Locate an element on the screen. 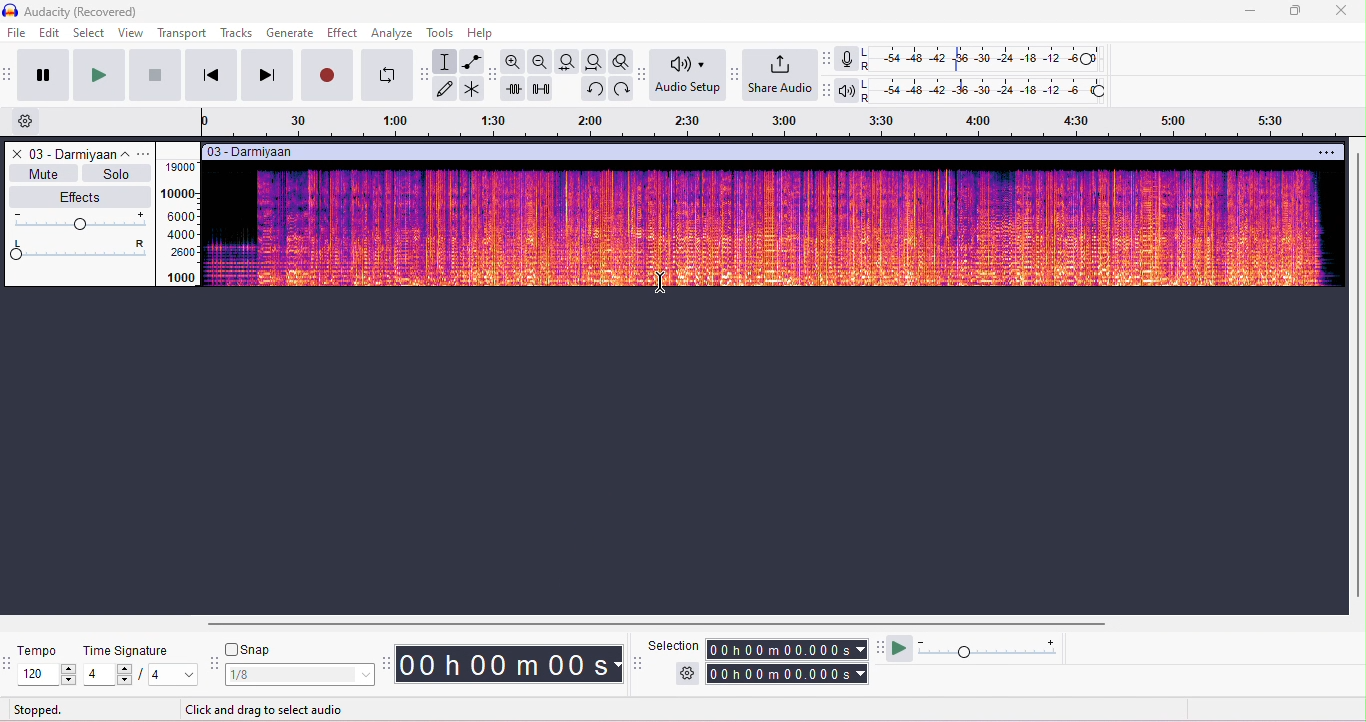 This screenshot has width=1366, height=722. selection is located at coordinates (446, 61).